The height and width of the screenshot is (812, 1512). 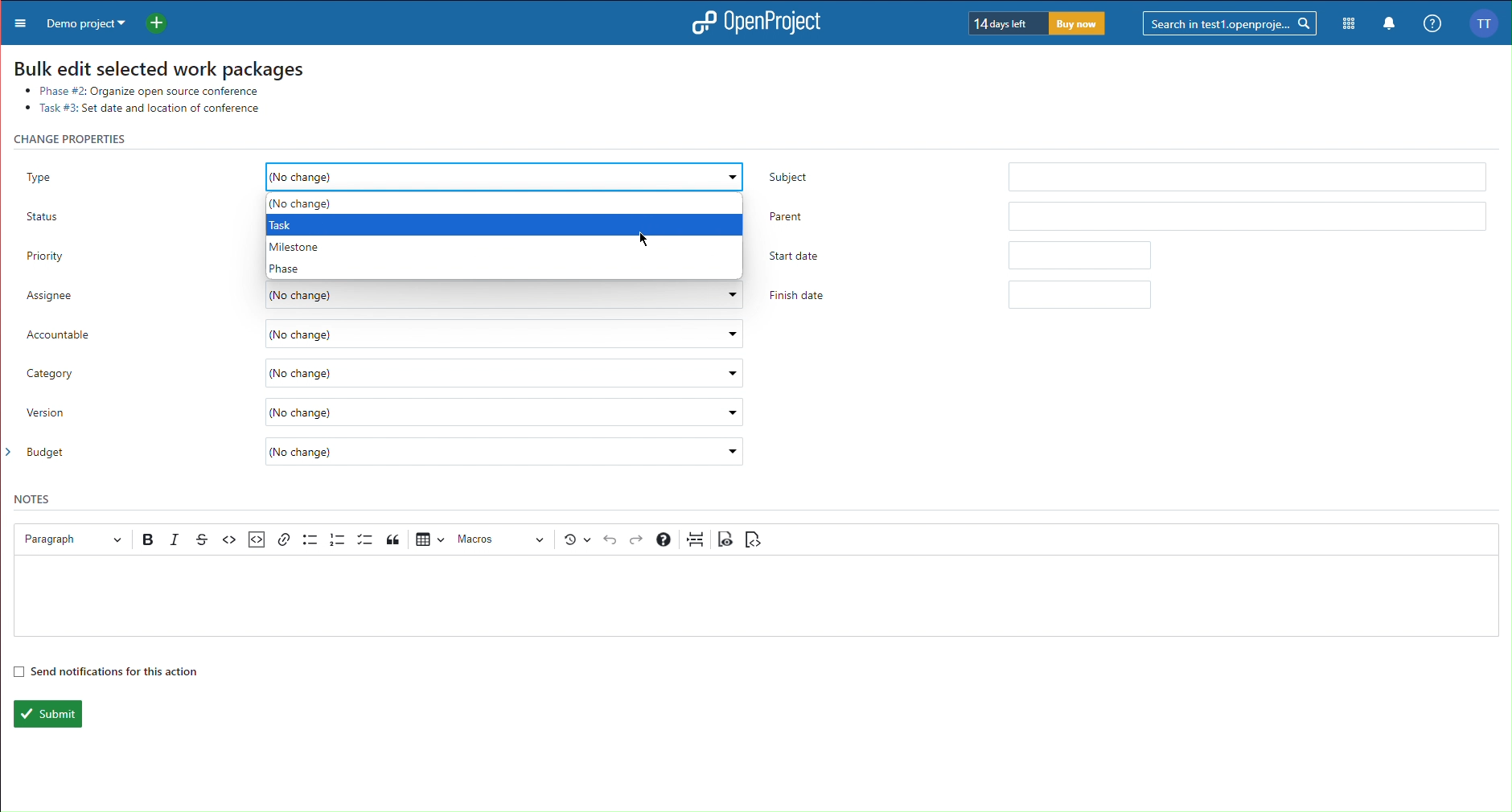 What do you see at coordinates (384, 295) in the screenshot?
I see `Assignee` at bounding box center [384, 295].